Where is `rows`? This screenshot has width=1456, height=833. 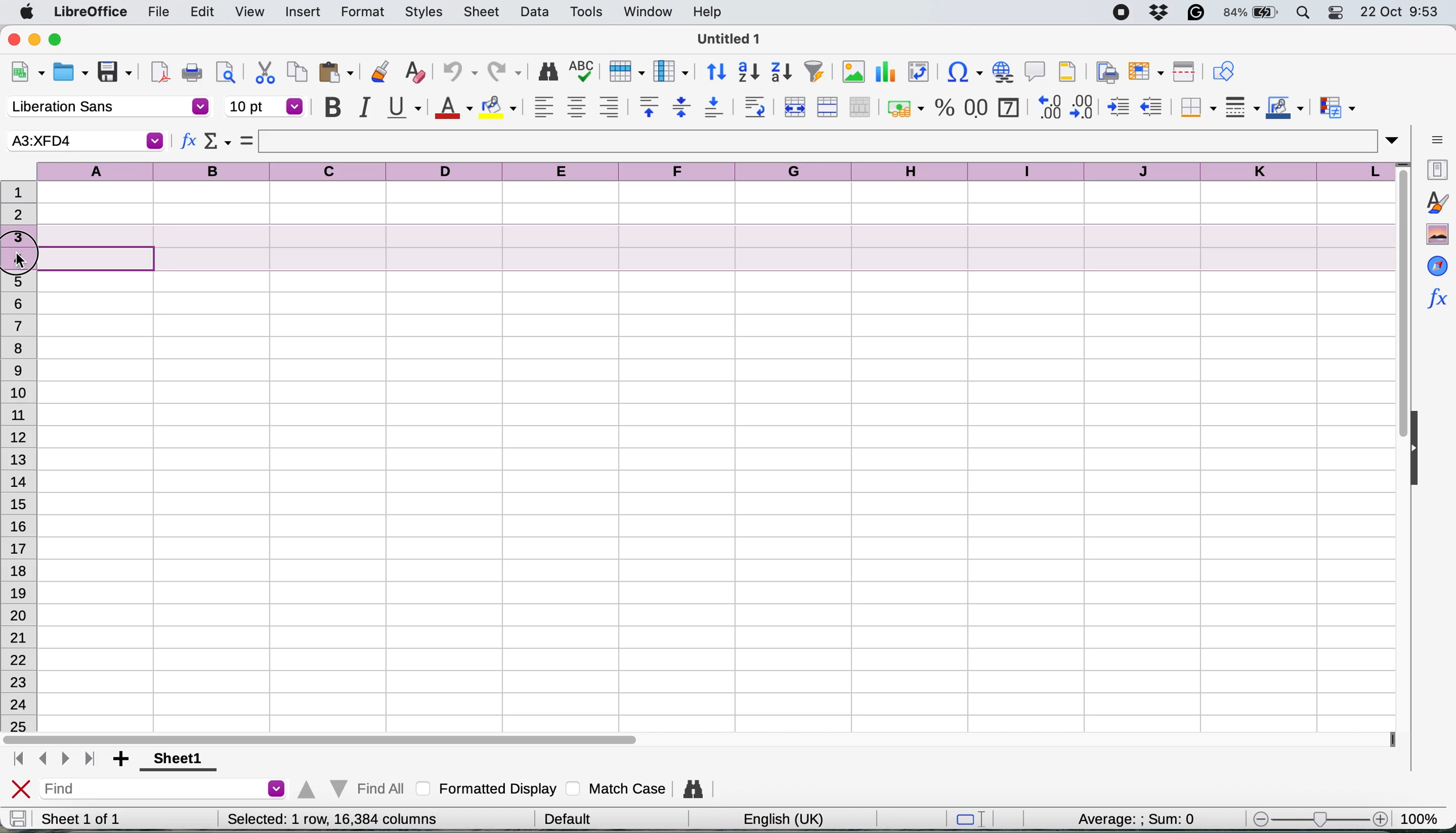 rows is located at coordinates (19, 505).